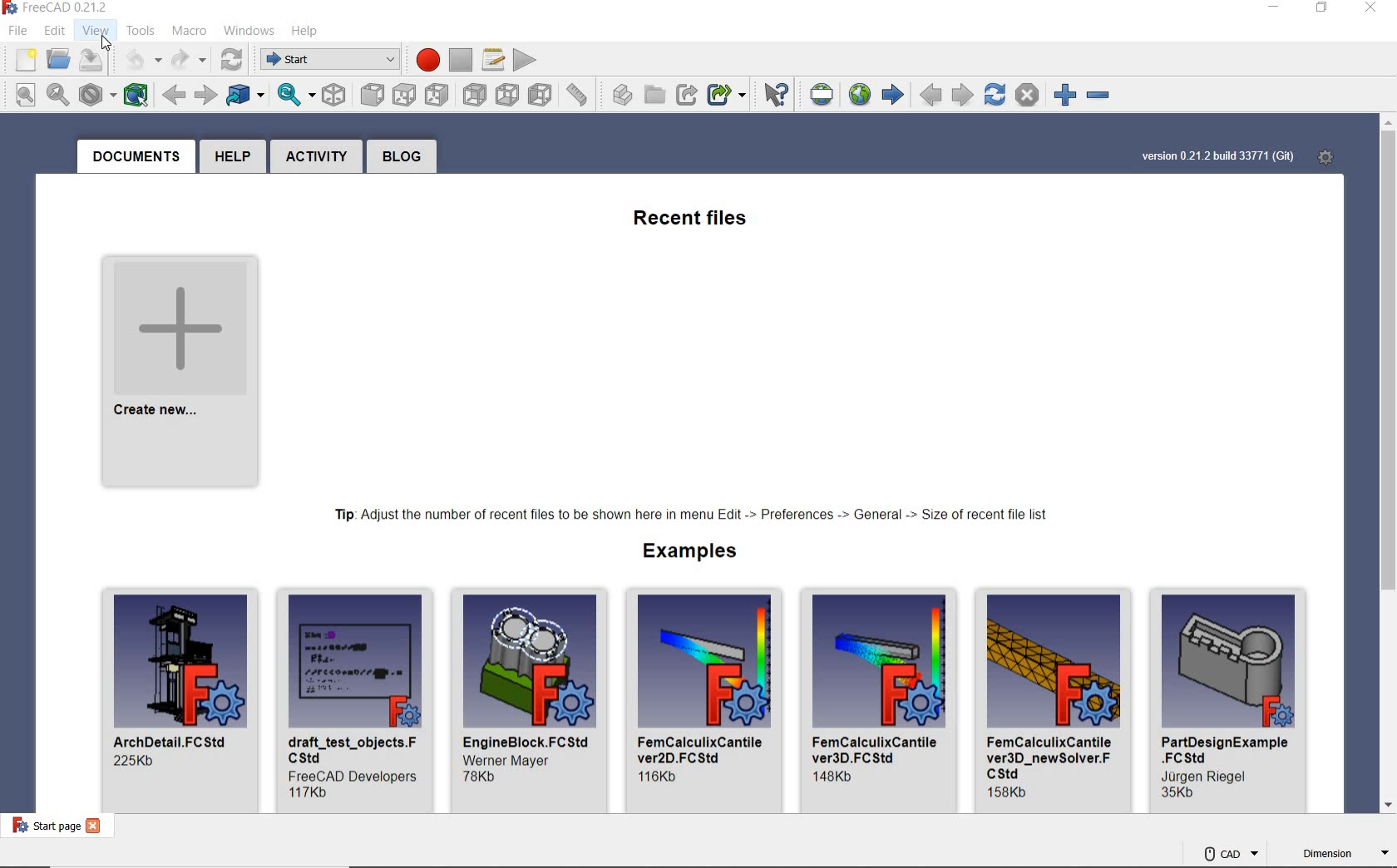 The width and height of the screenshot is (1397, 868). I want to click on macro recording, so click(425, 60).